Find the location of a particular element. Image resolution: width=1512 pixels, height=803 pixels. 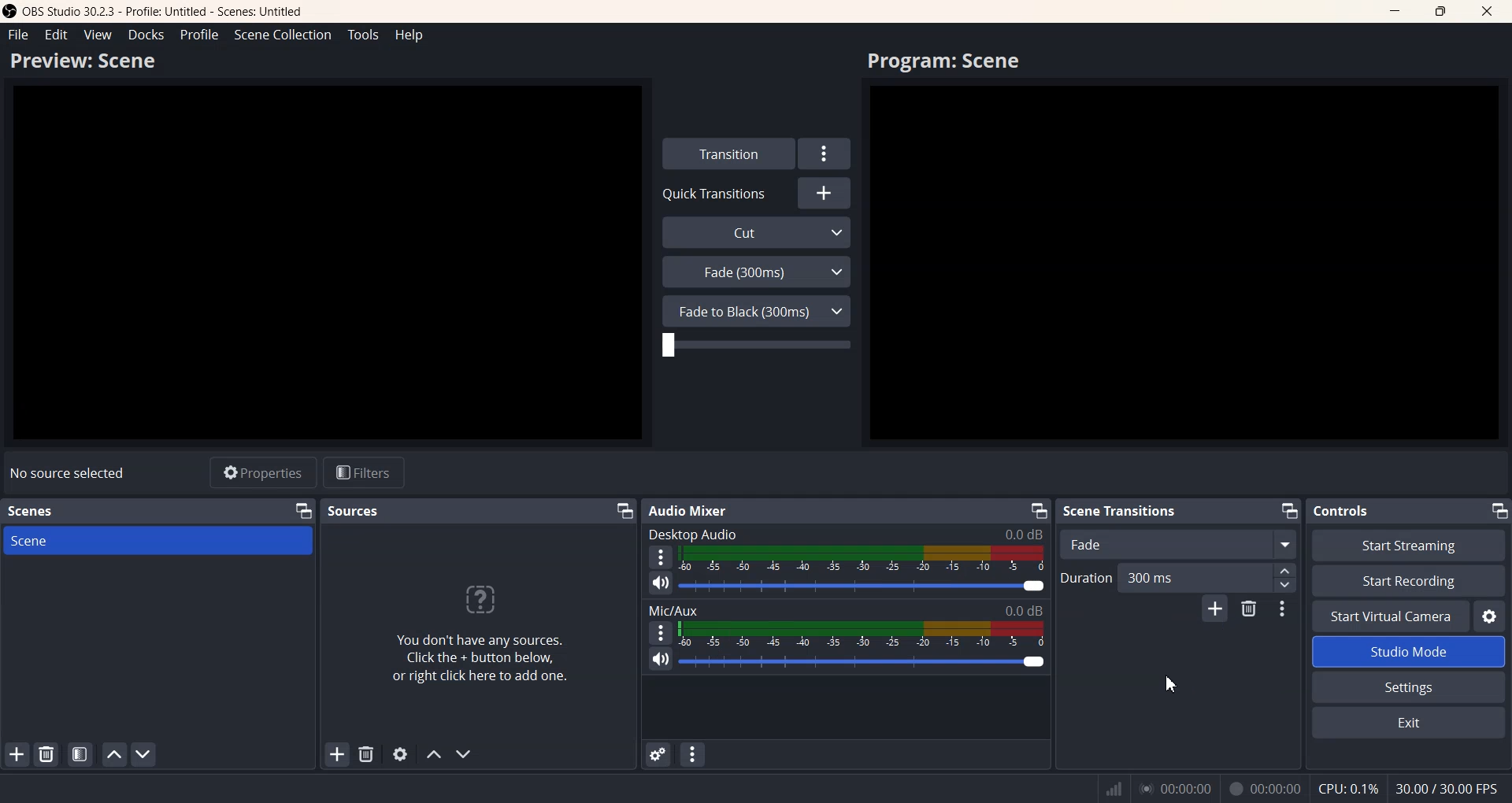

Adjuster is located at coordinates (1286, 579).